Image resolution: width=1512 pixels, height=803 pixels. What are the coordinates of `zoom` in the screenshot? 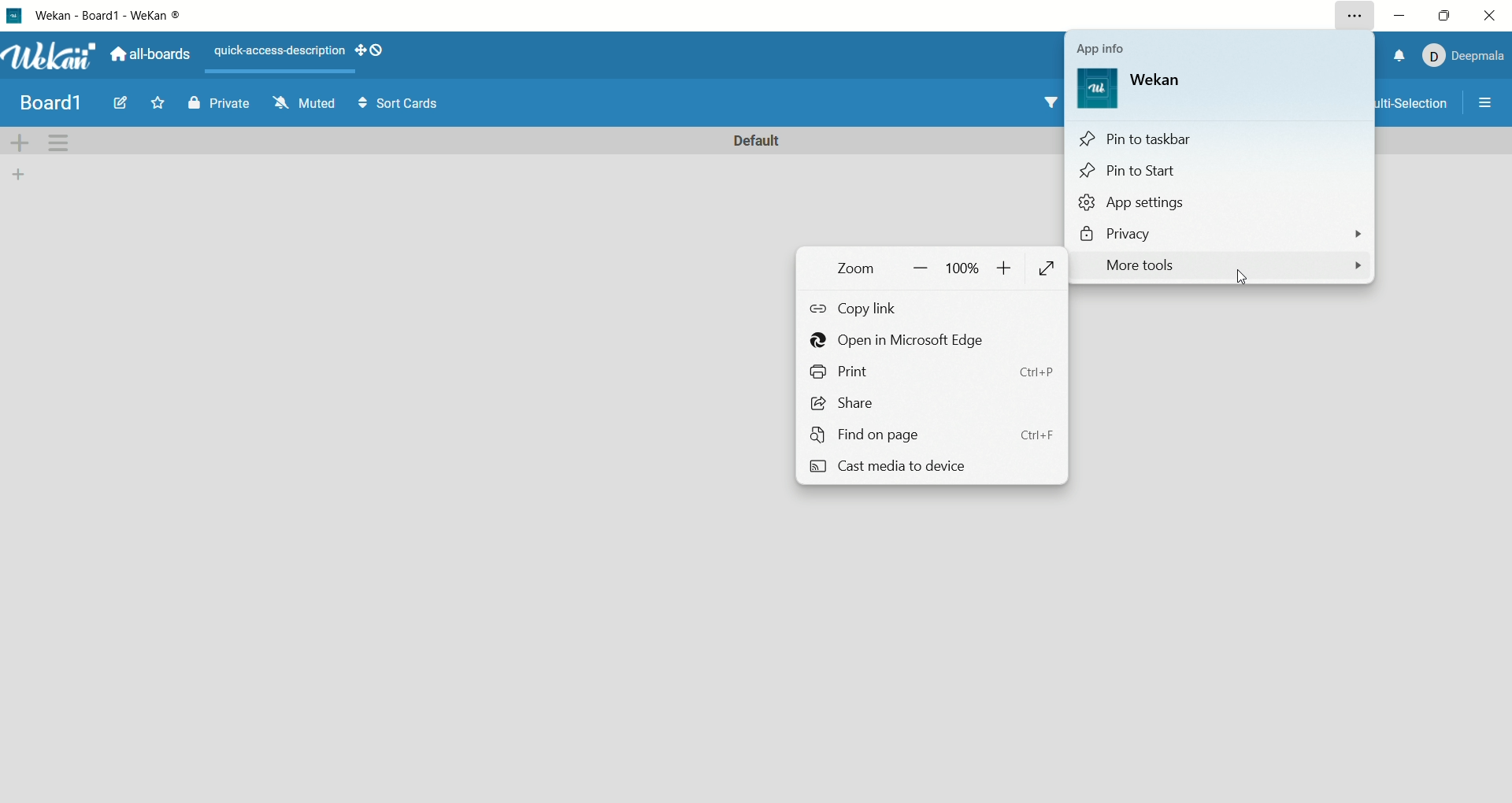 It's located at (920, 268).